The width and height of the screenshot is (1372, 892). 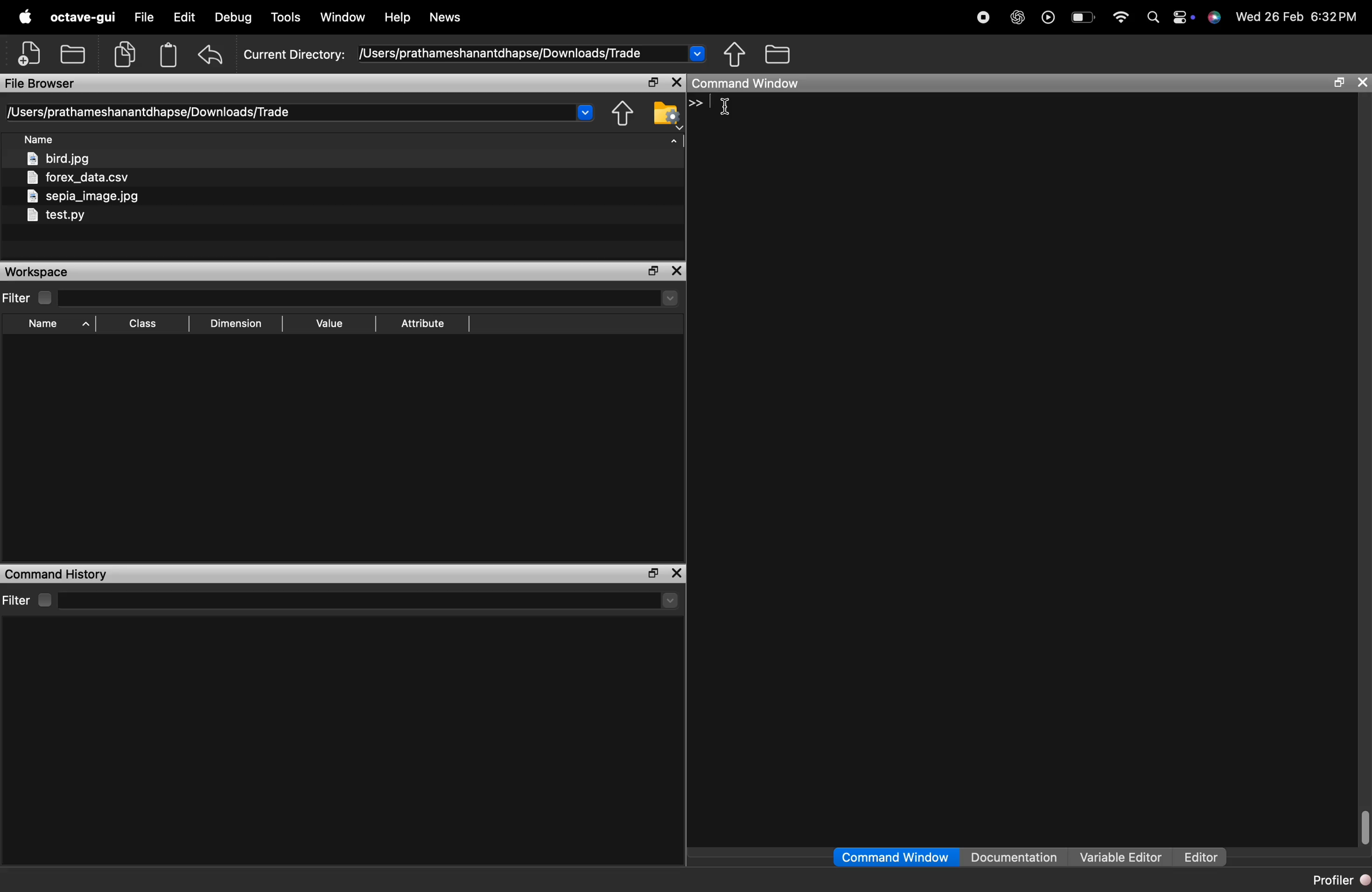 I want to click on attribute , so click(x=426, y=324).